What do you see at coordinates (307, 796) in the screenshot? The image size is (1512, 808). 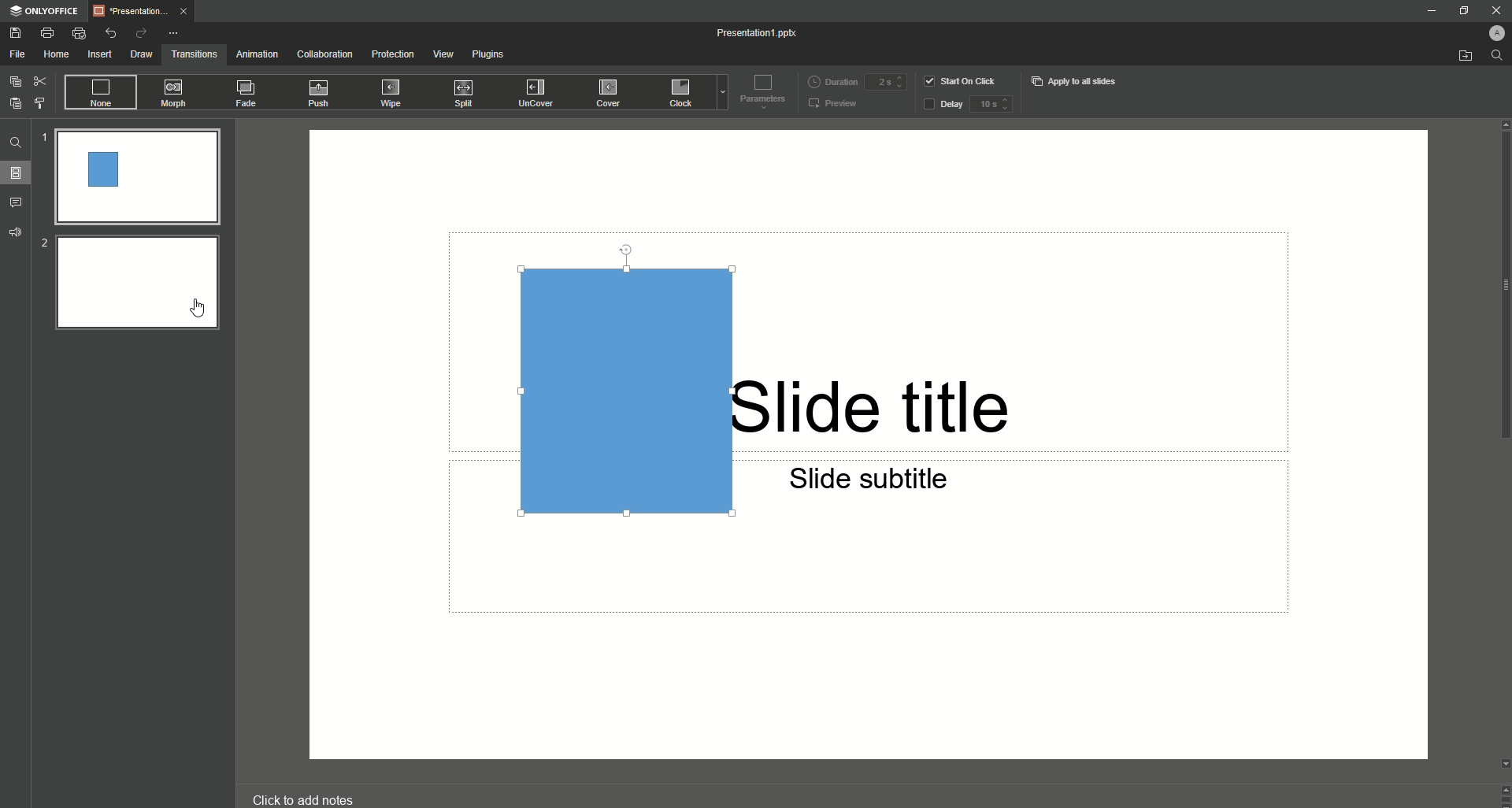 I see `click to add notes` at bounding box center [307, 796].